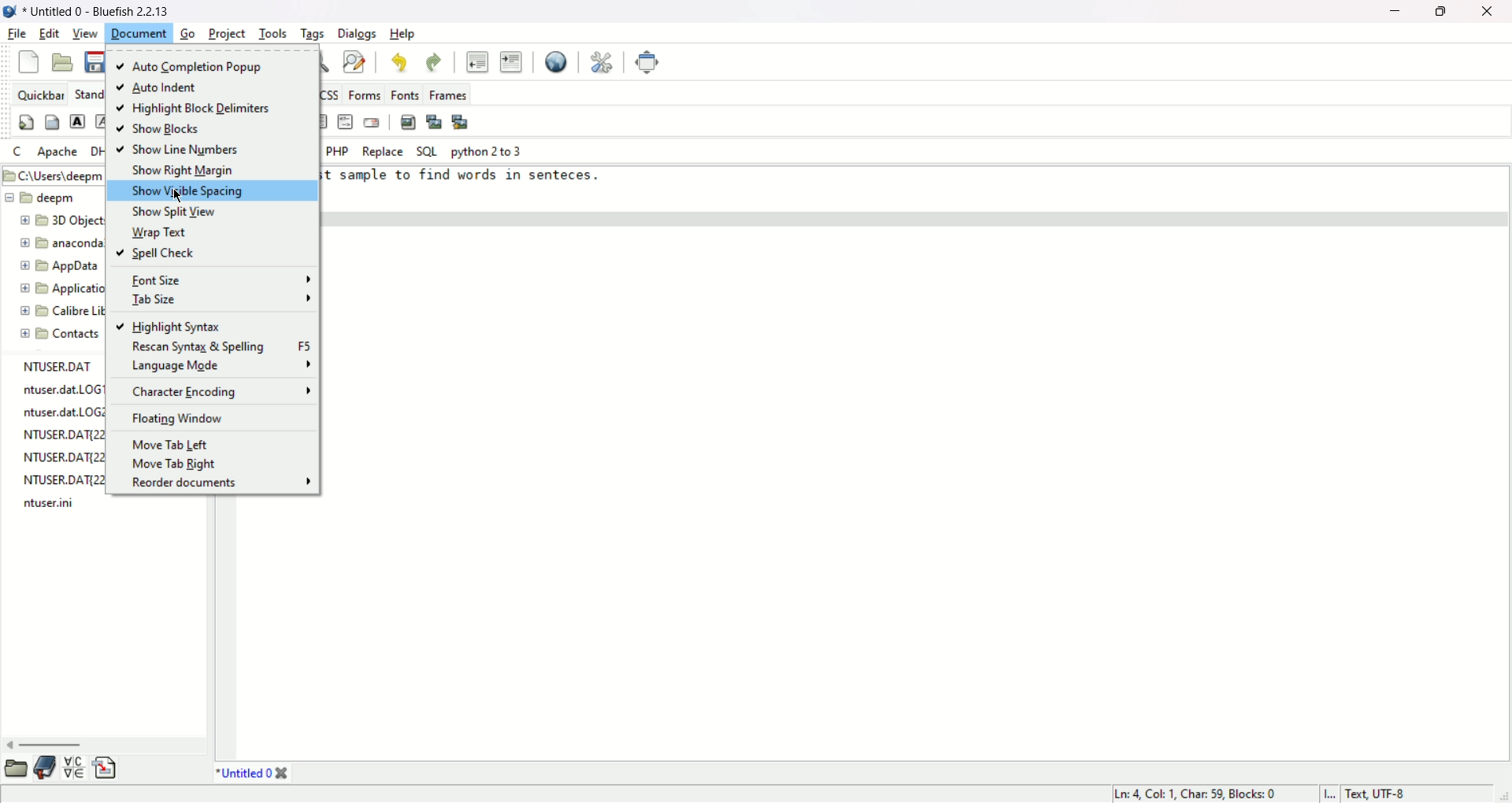 The width and height of the screenshot is (1512, 803). Describe the element at coordinates (272, 33) in the screenshot. I see `tools` at that location.